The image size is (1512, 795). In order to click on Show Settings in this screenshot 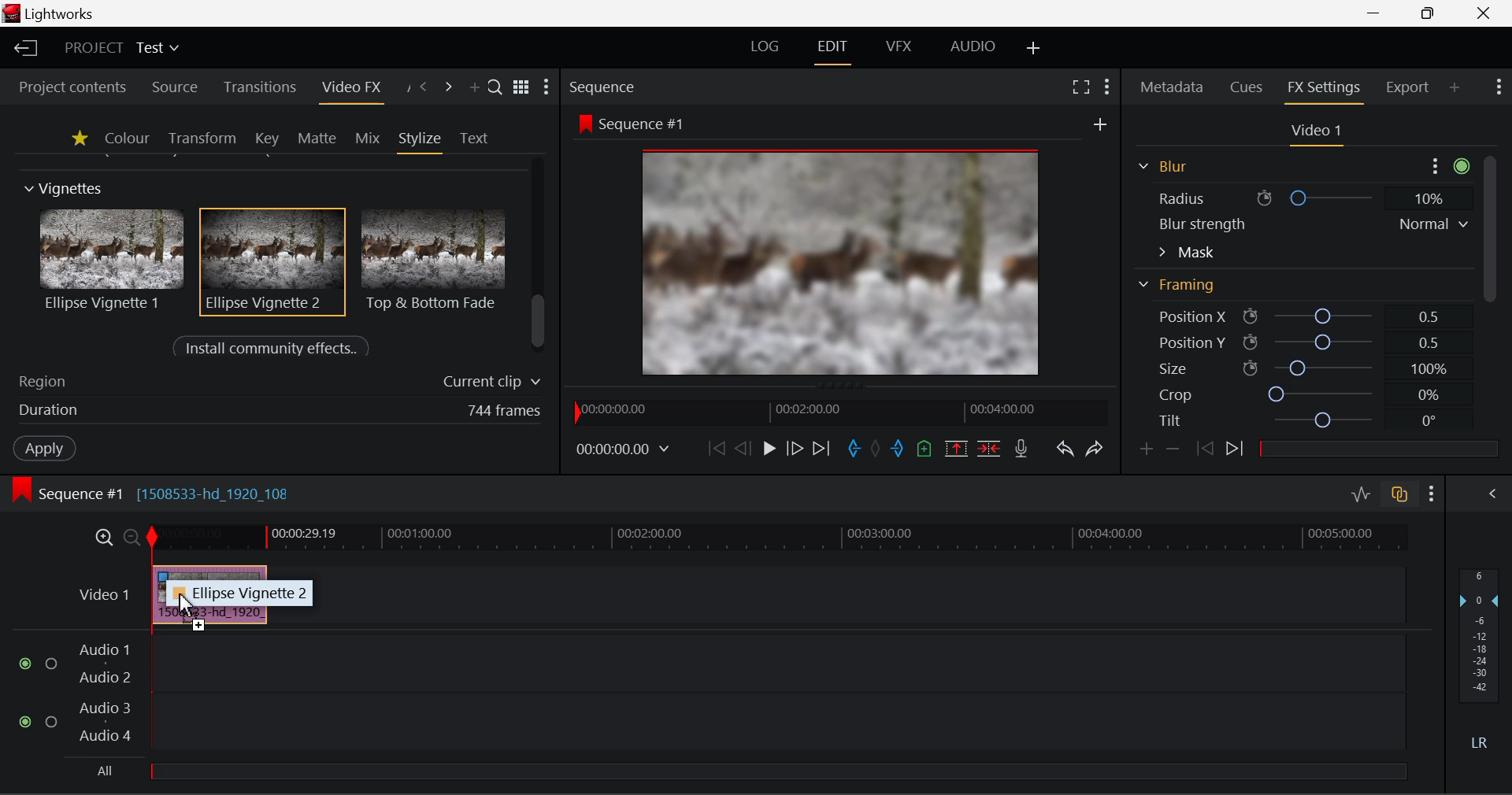, I will do `click(550, 87)`.